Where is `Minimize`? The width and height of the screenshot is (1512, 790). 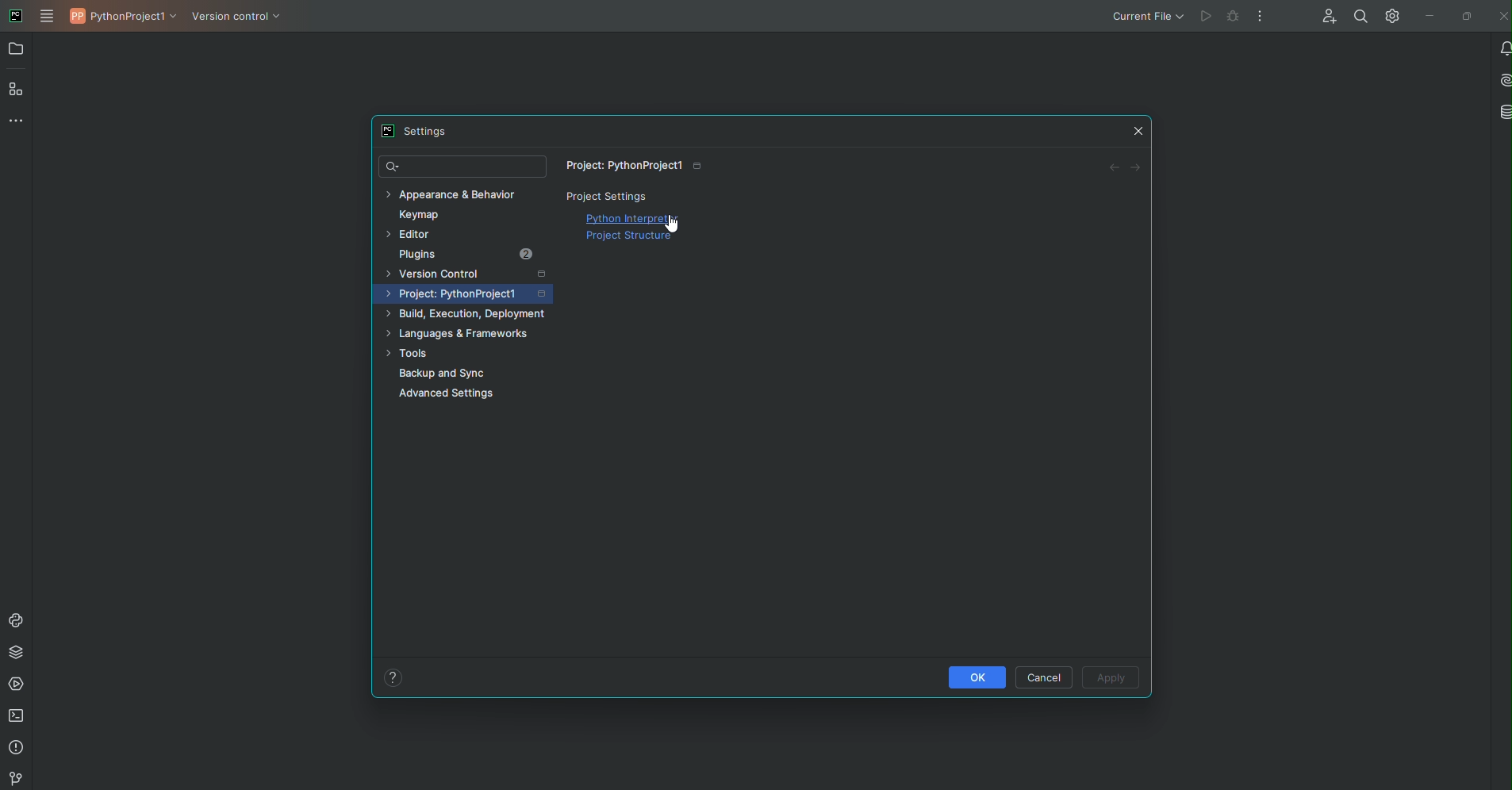 Minimize is located at coordinates (1426, 17).